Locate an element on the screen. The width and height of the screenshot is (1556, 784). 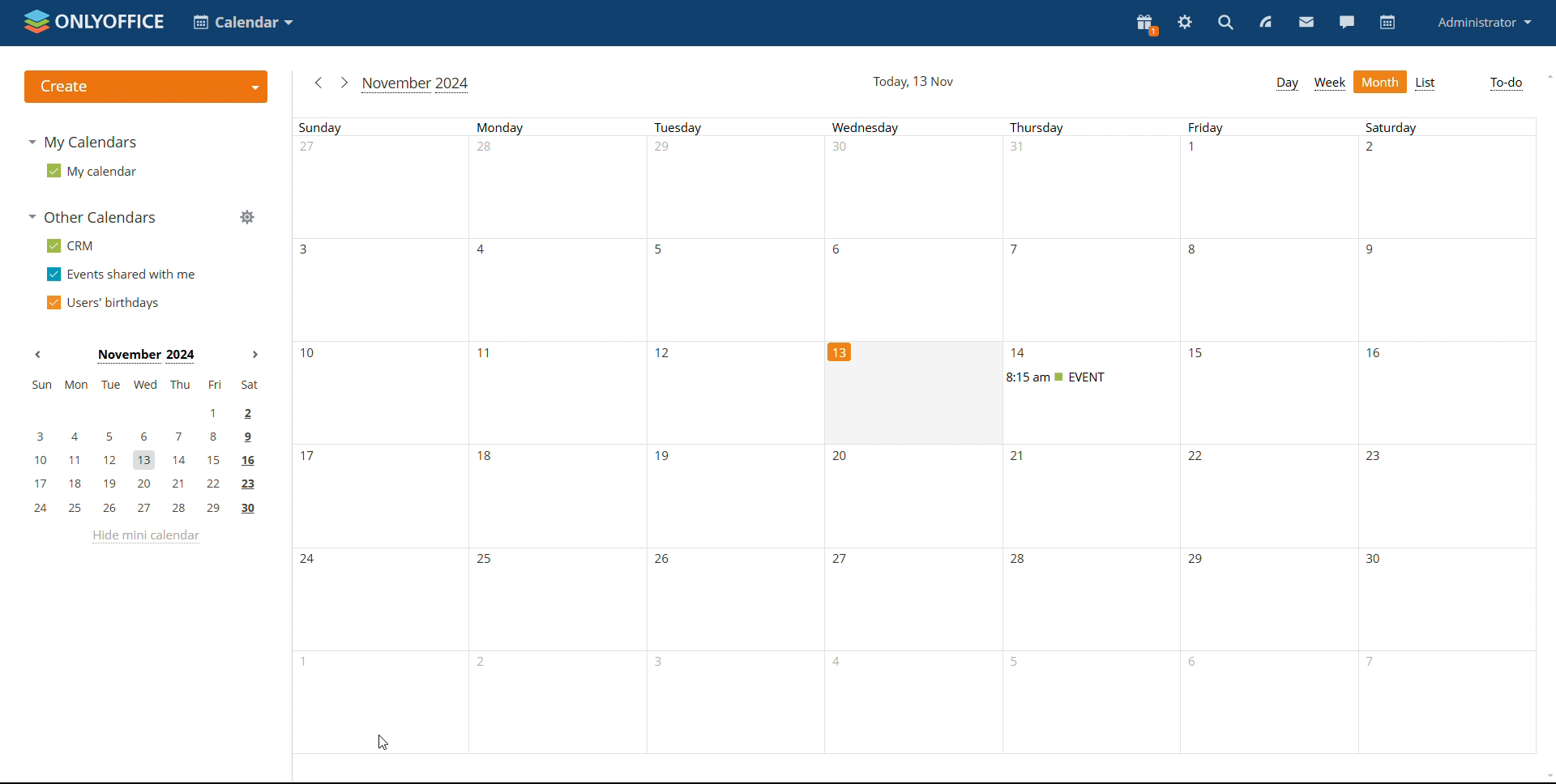
logo is located at coordinates (95, 23).